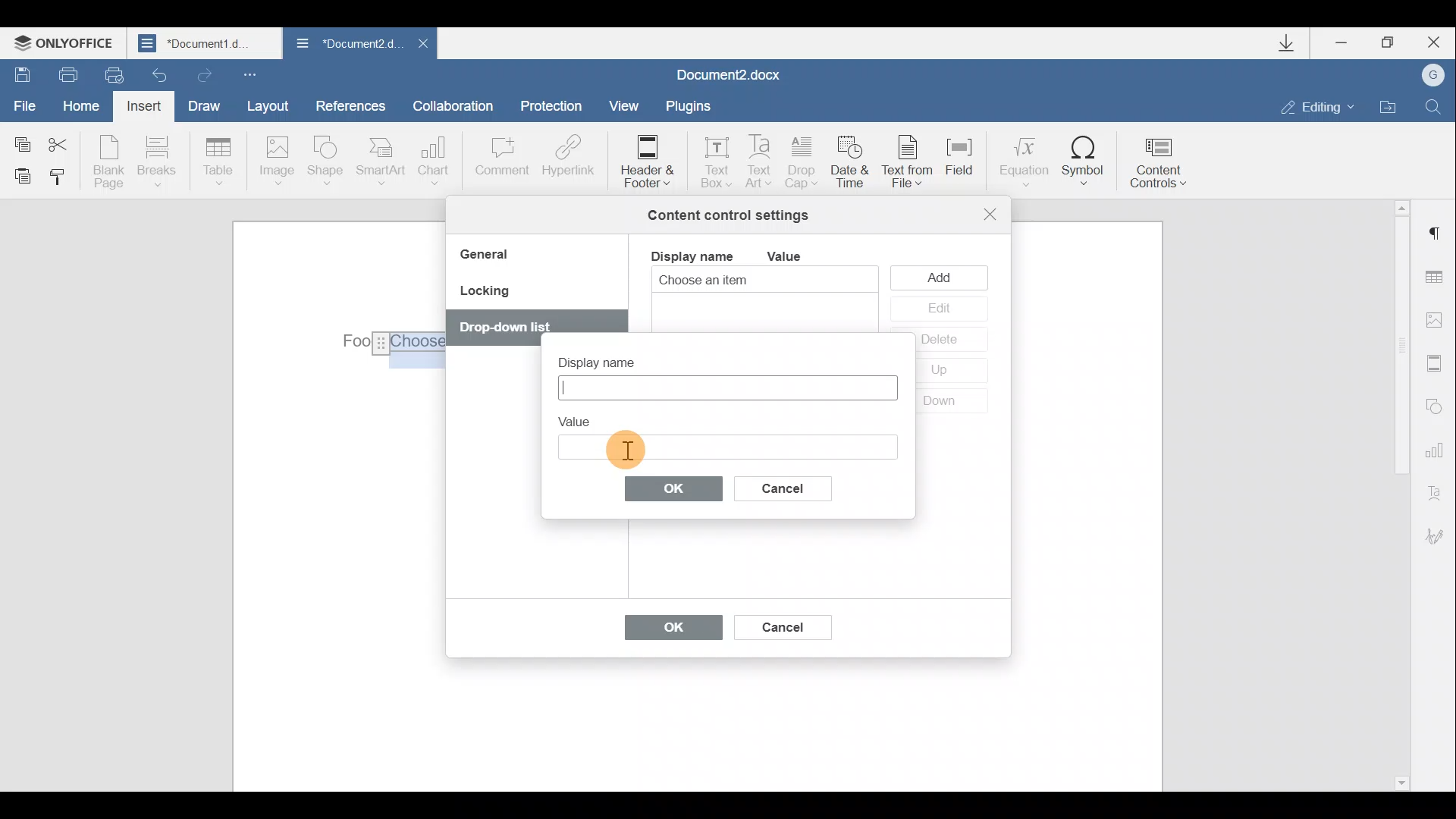 The image size is (1456, 819). Describe the element at coordinates (1022, 158) in the screenshot. I see `Equation` at that location.